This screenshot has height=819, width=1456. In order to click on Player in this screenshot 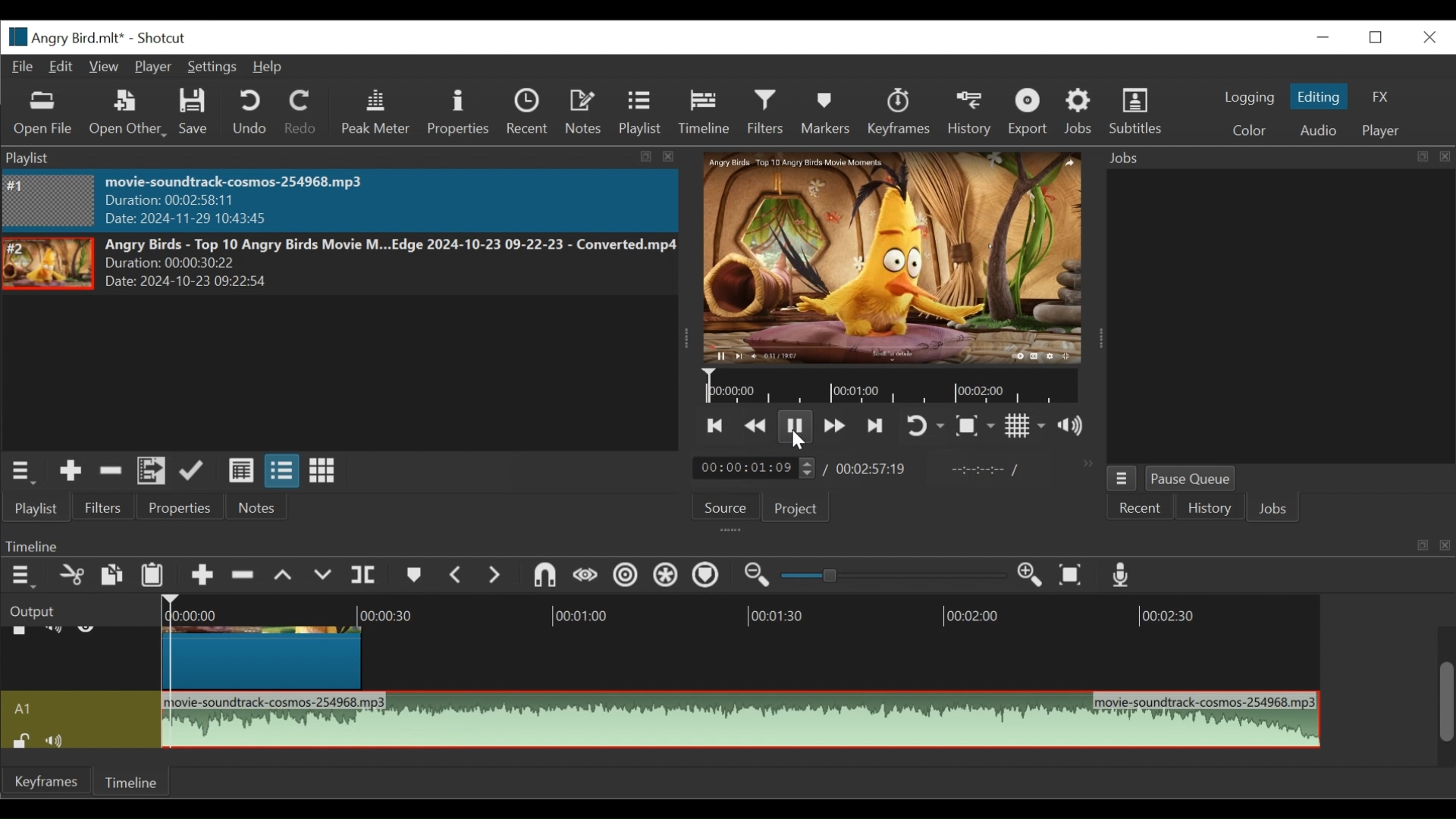, I will do `click(151, 67)`.